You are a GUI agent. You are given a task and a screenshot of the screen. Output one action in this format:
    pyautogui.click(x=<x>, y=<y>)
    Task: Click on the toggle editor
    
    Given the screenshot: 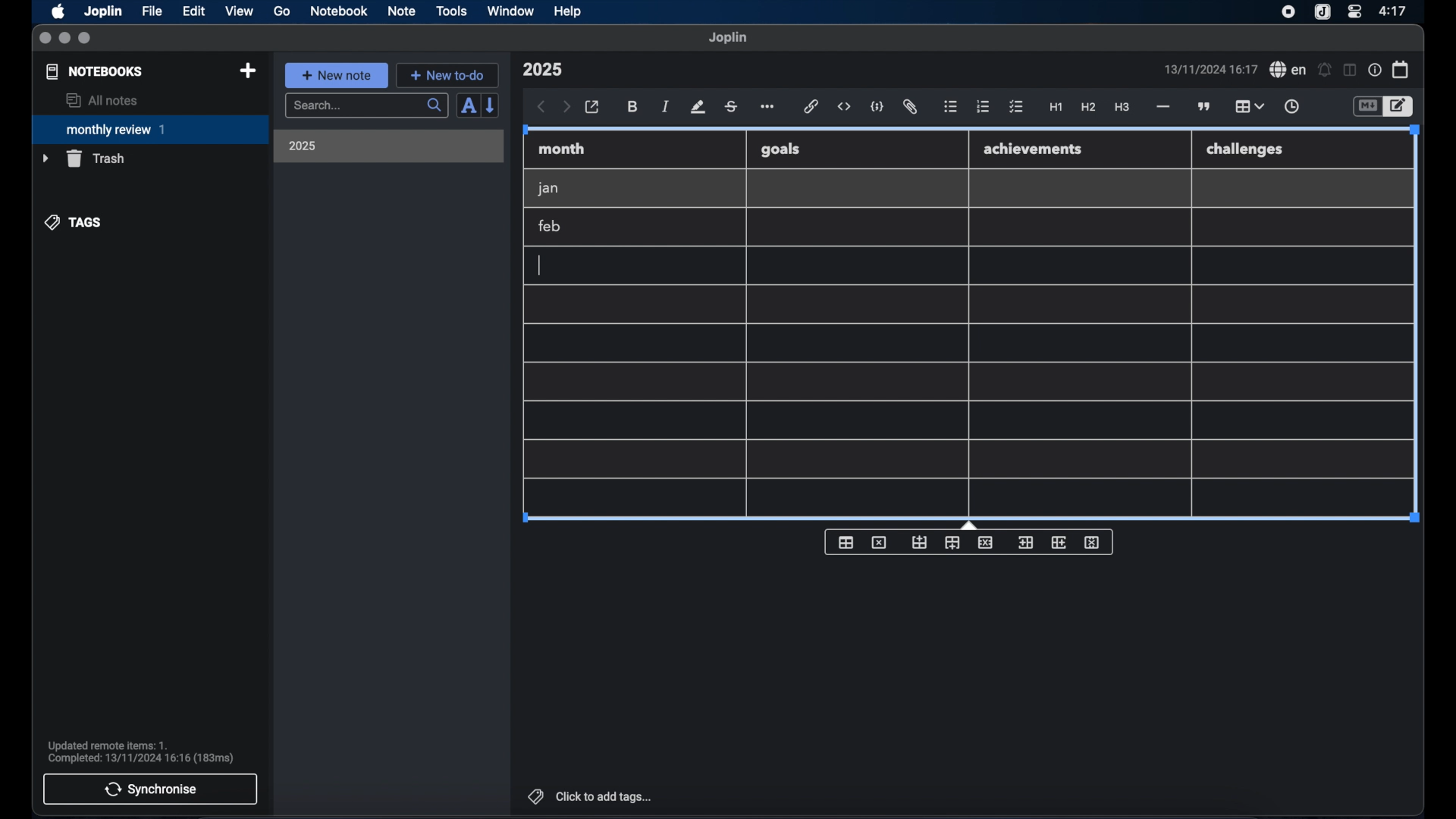 What is the action you would take?
    pyautogui.click(x=1367, y=107)
    